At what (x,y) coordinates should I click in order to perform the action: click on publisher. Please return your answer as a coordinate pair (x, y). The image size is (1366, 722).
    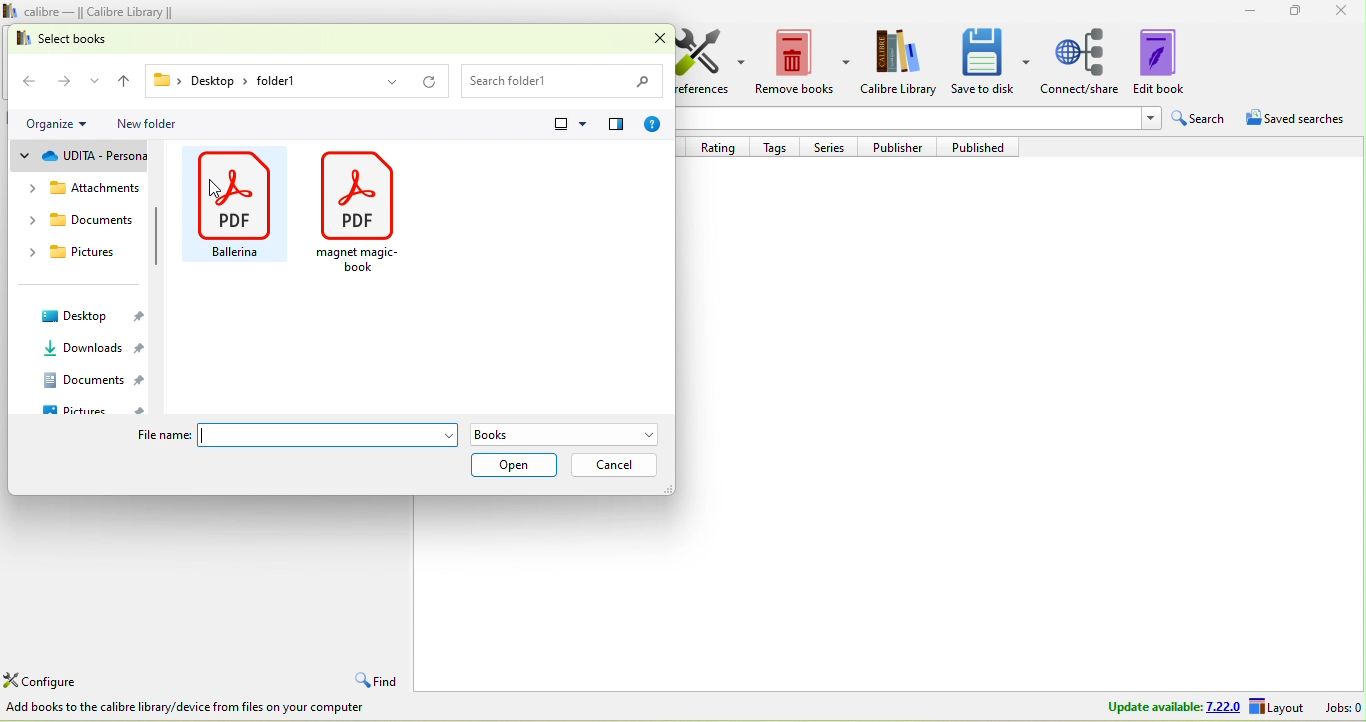
    Looking at the image, I should click on (904, 146).